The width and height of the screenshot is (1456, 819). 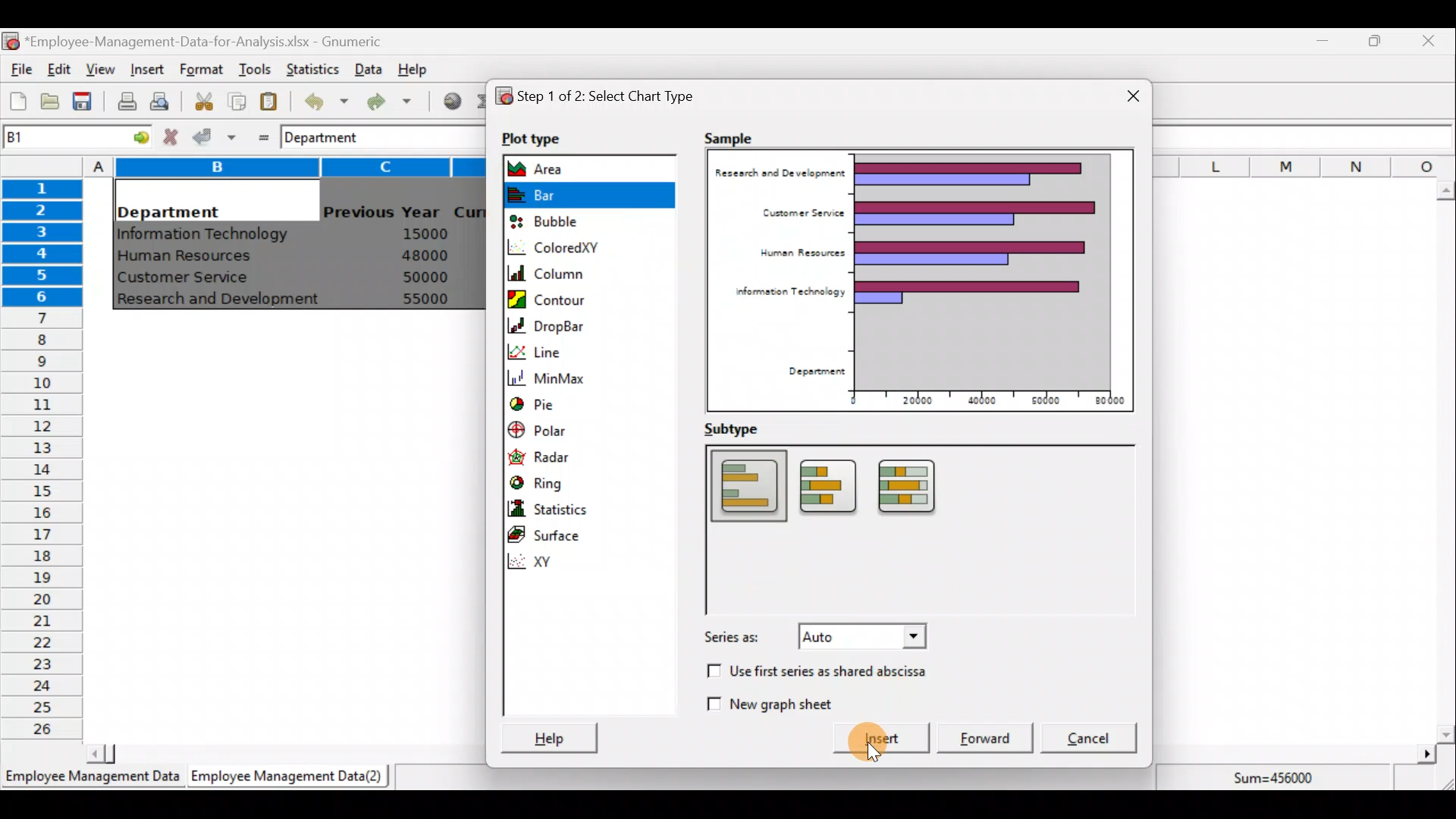 I want to click on Cell name B1, so click(x=50, y=136).